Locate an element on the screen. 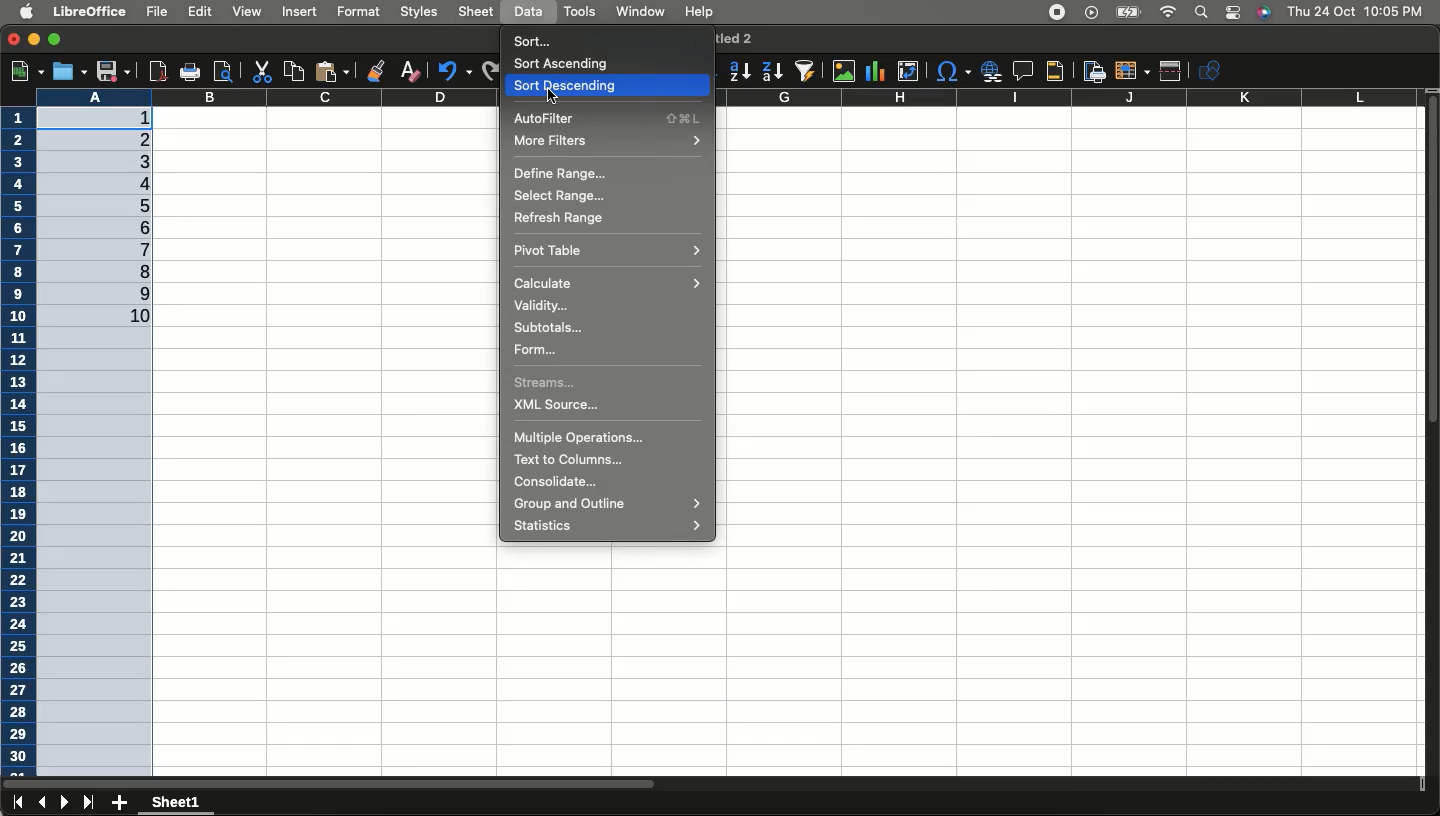 This screenshot has height=816, width=1440. Streams... is located at coordinates (546, 383).